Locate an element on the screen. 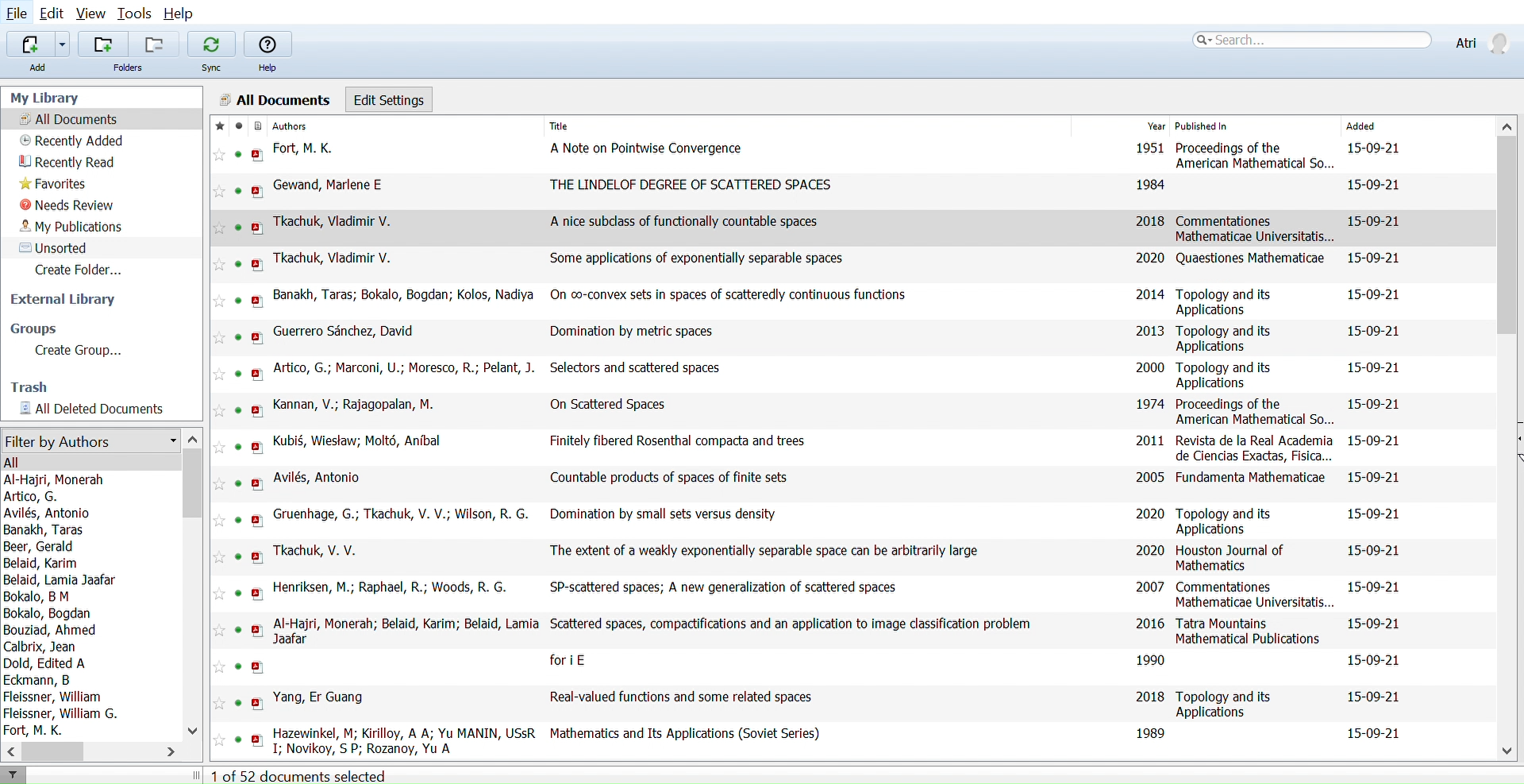  1984 is located at coordinates (1150, 185).